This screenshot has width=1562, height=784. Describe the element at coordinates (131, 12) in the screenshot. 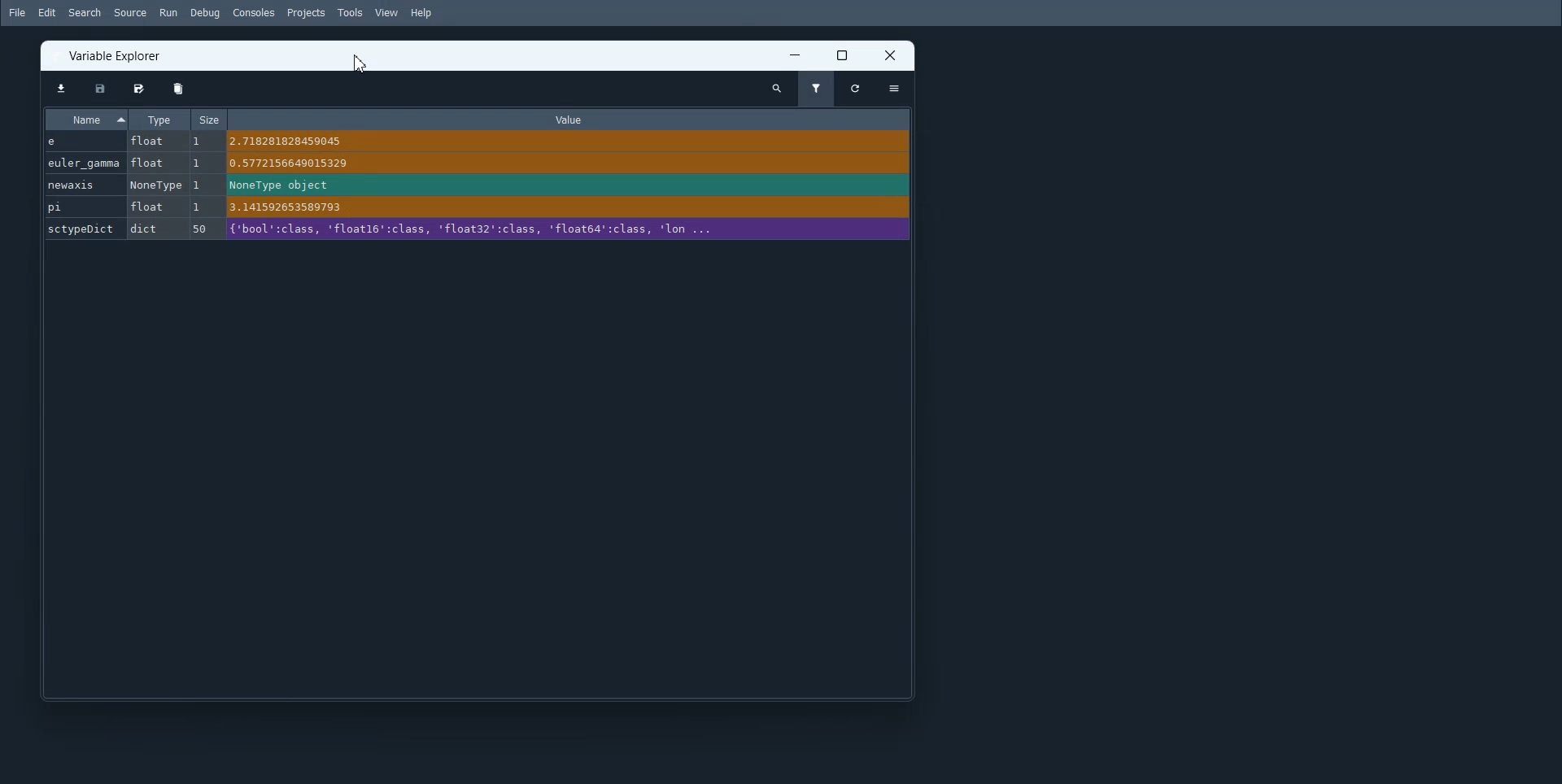

I see `Source` at that location.